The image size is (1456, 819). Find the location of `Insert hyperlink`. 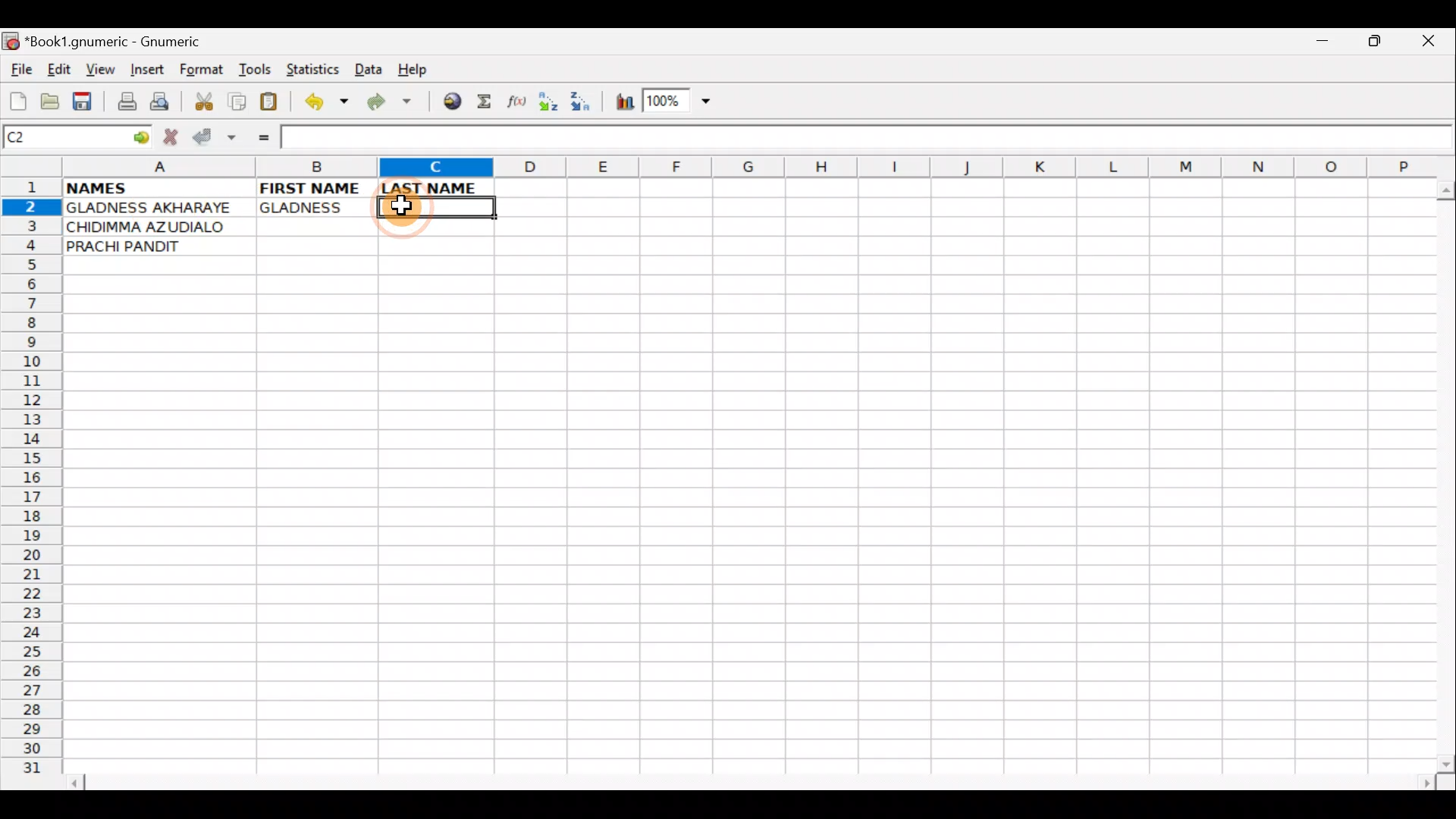

Insert hyperlink is located at coordinates (450, 102).